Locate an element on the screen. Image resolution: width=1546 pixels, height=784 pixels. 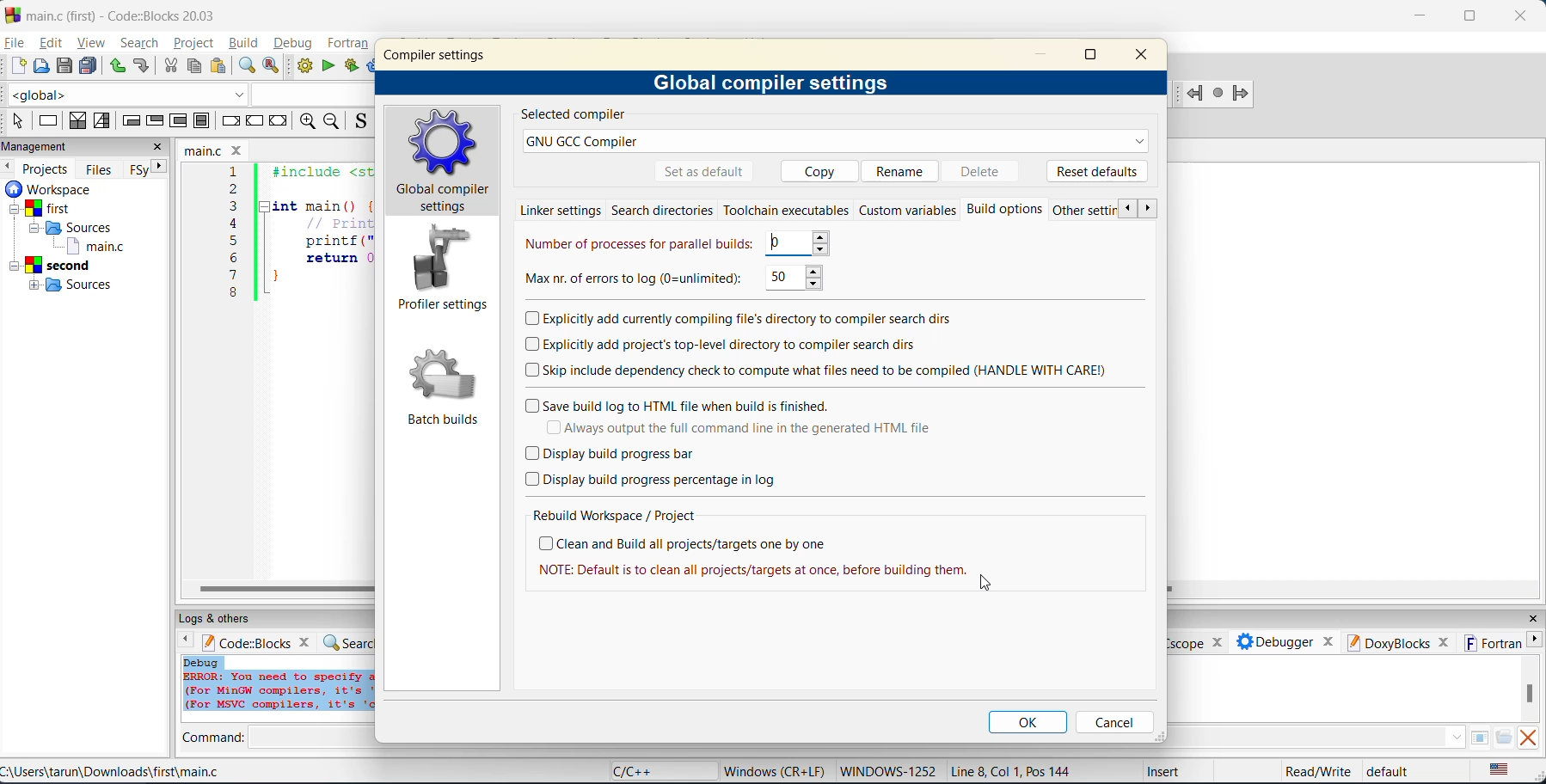
zoom in is located at coordinates (310, 122).